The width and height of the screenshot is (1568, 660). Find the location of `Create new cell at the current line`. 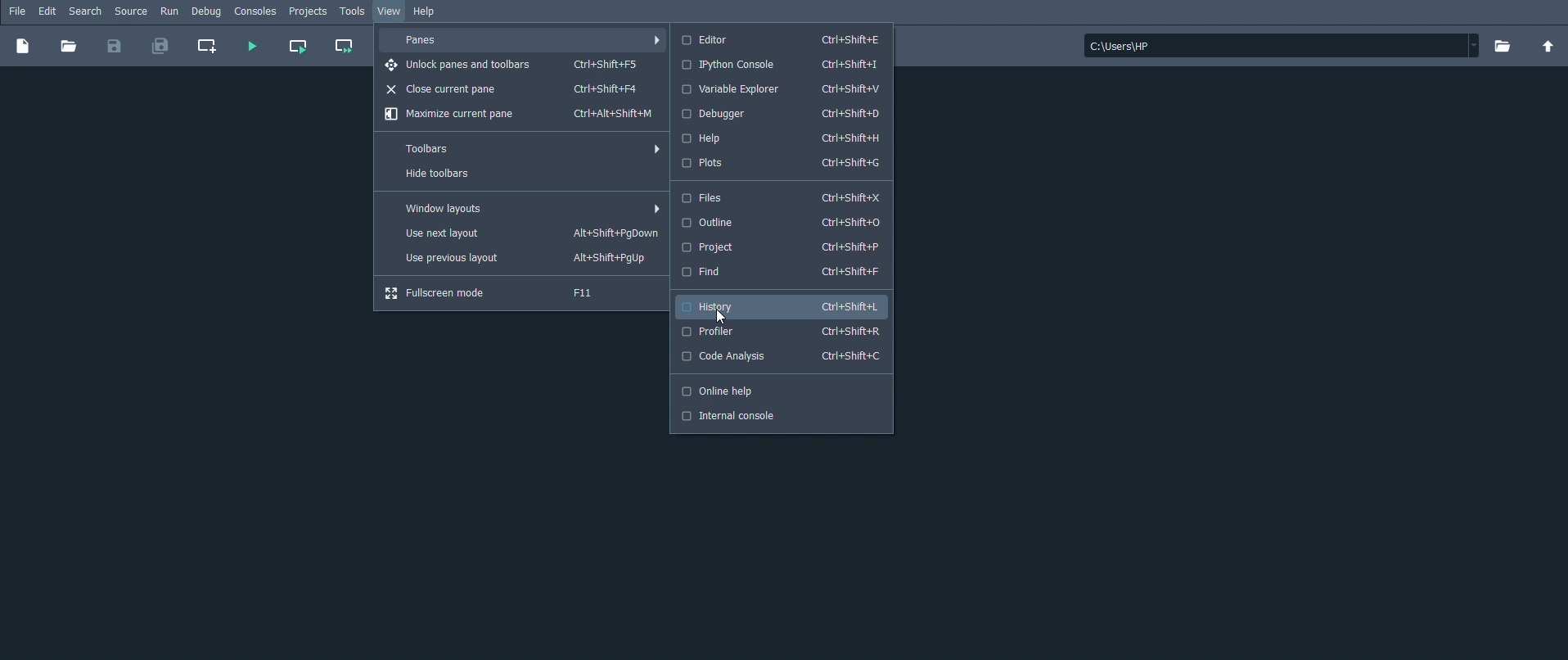

Create new cell at the current line is located at coordinates (210, 47).